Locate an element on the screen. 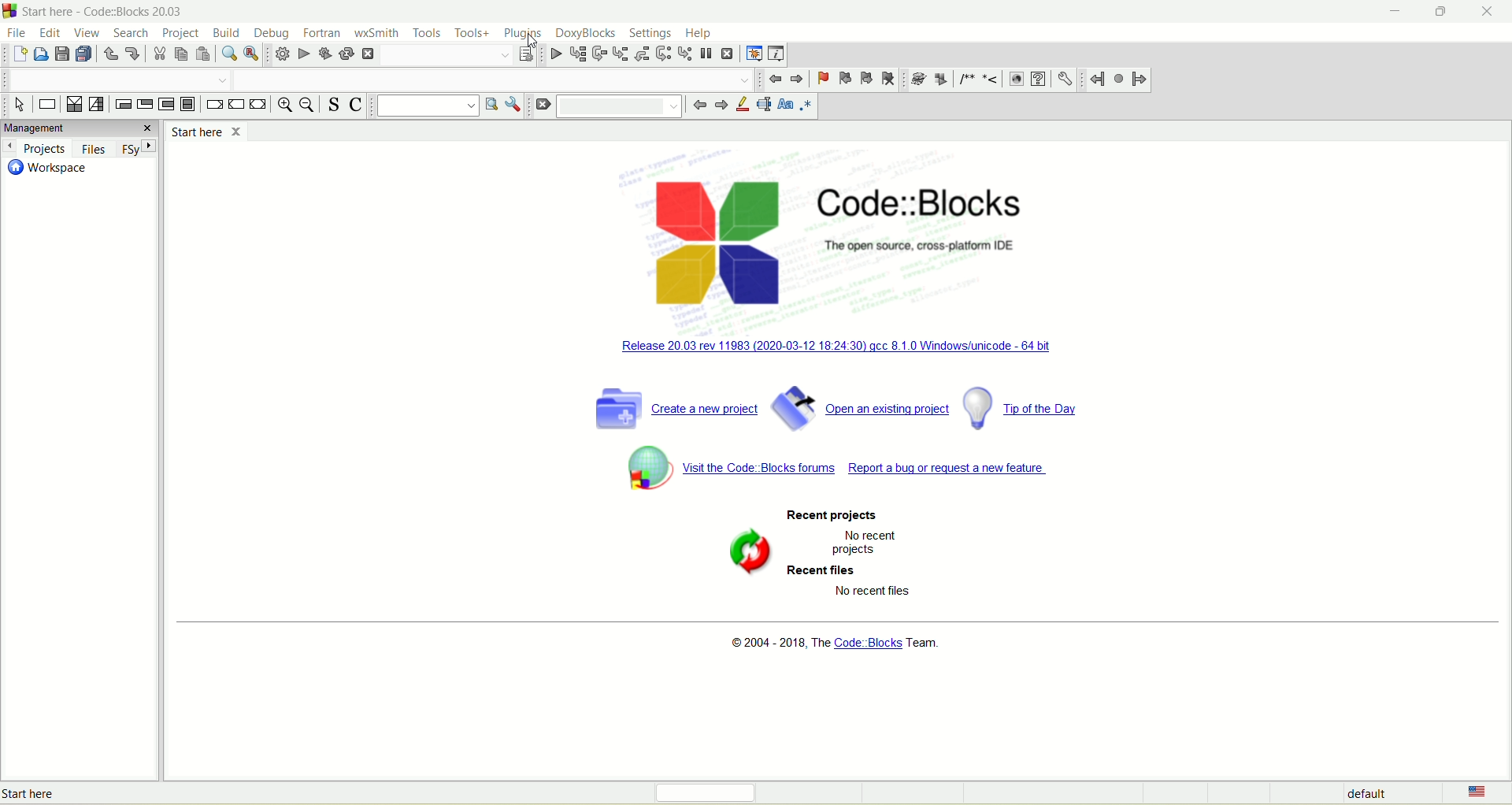 Image resolution: width=1512 pixels, height=805 pixels. debug is located at coordinates (554, 55).